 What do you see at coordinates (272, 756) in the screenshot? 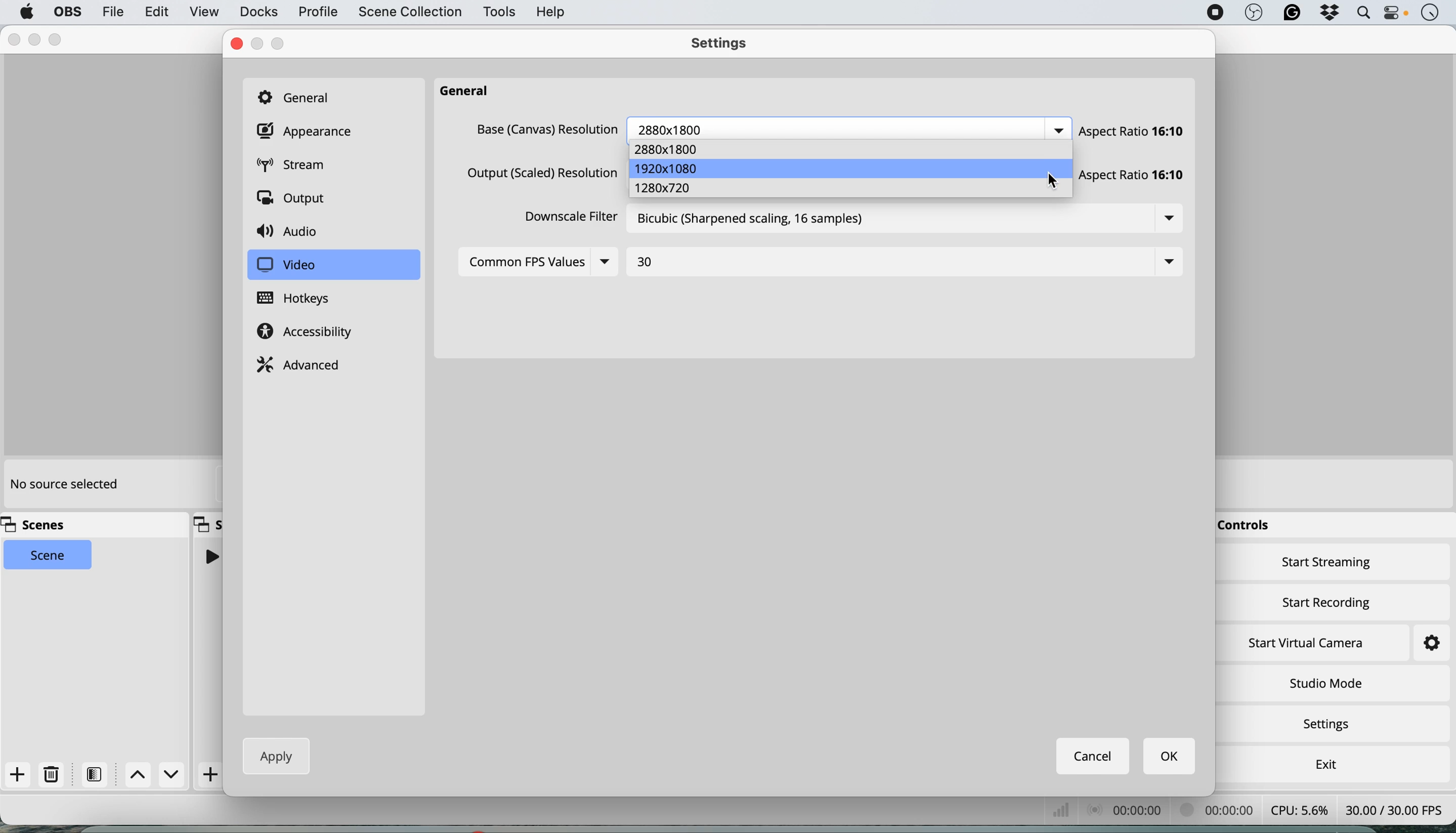
I see `apply` at bounding box center [272, 756].